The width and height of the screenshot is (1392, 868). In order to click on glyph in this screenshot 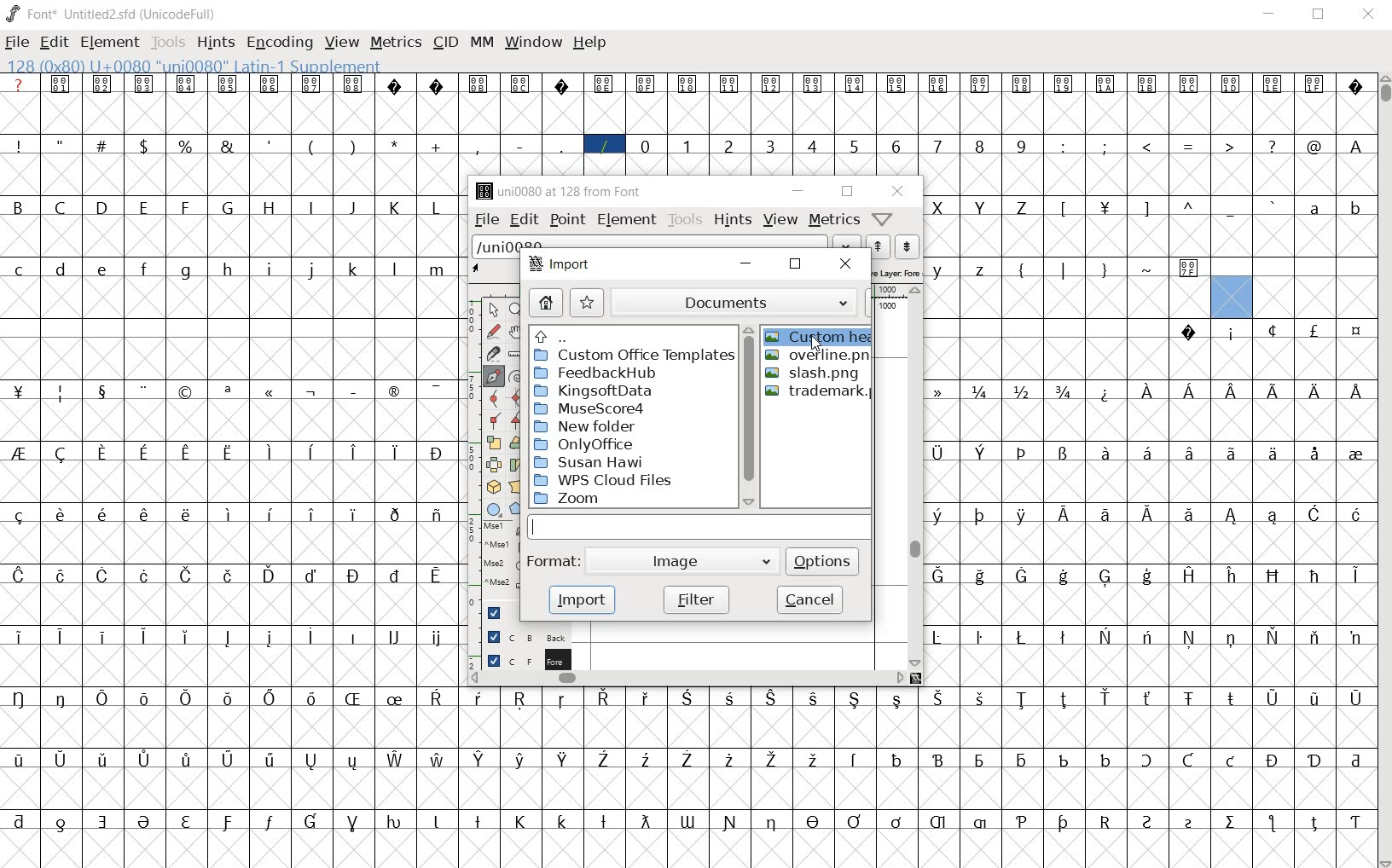, I will do `click(1063, 637)`.